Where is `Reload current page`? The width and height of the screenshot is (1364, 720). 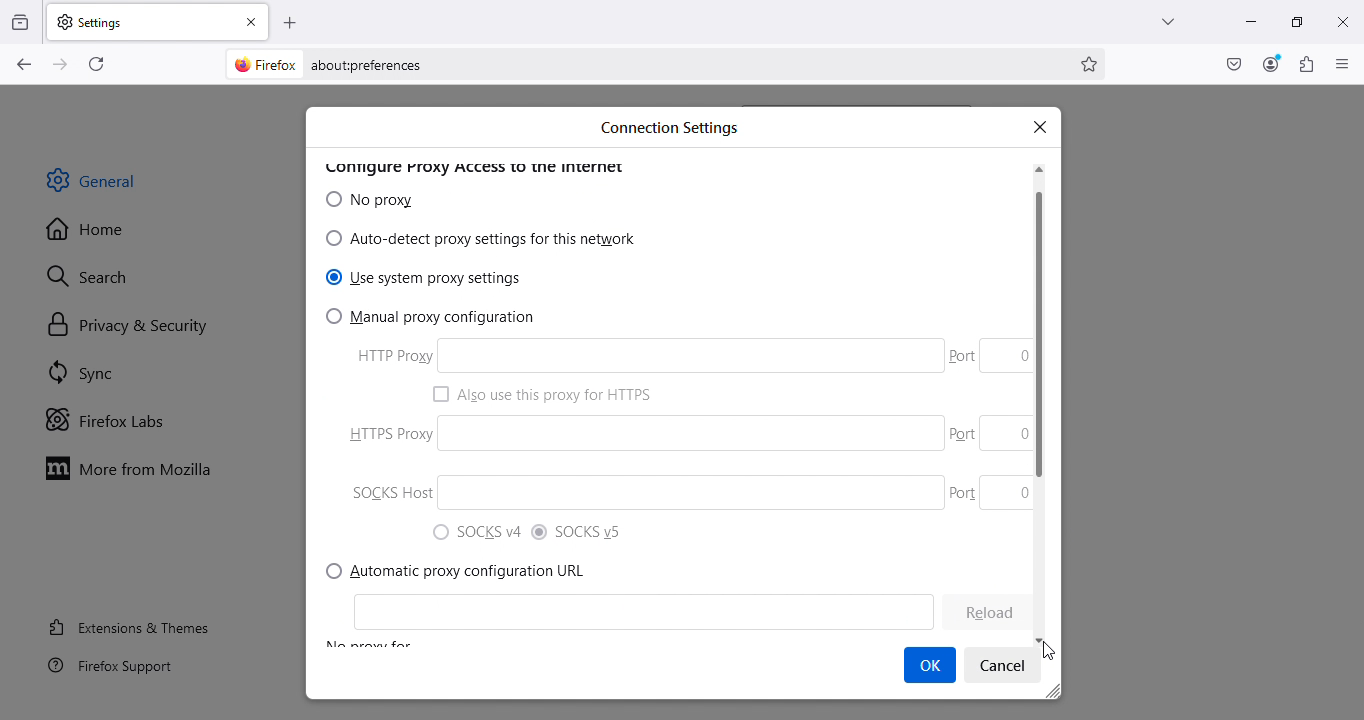
Reload current page is located at coordinates (99, 62).